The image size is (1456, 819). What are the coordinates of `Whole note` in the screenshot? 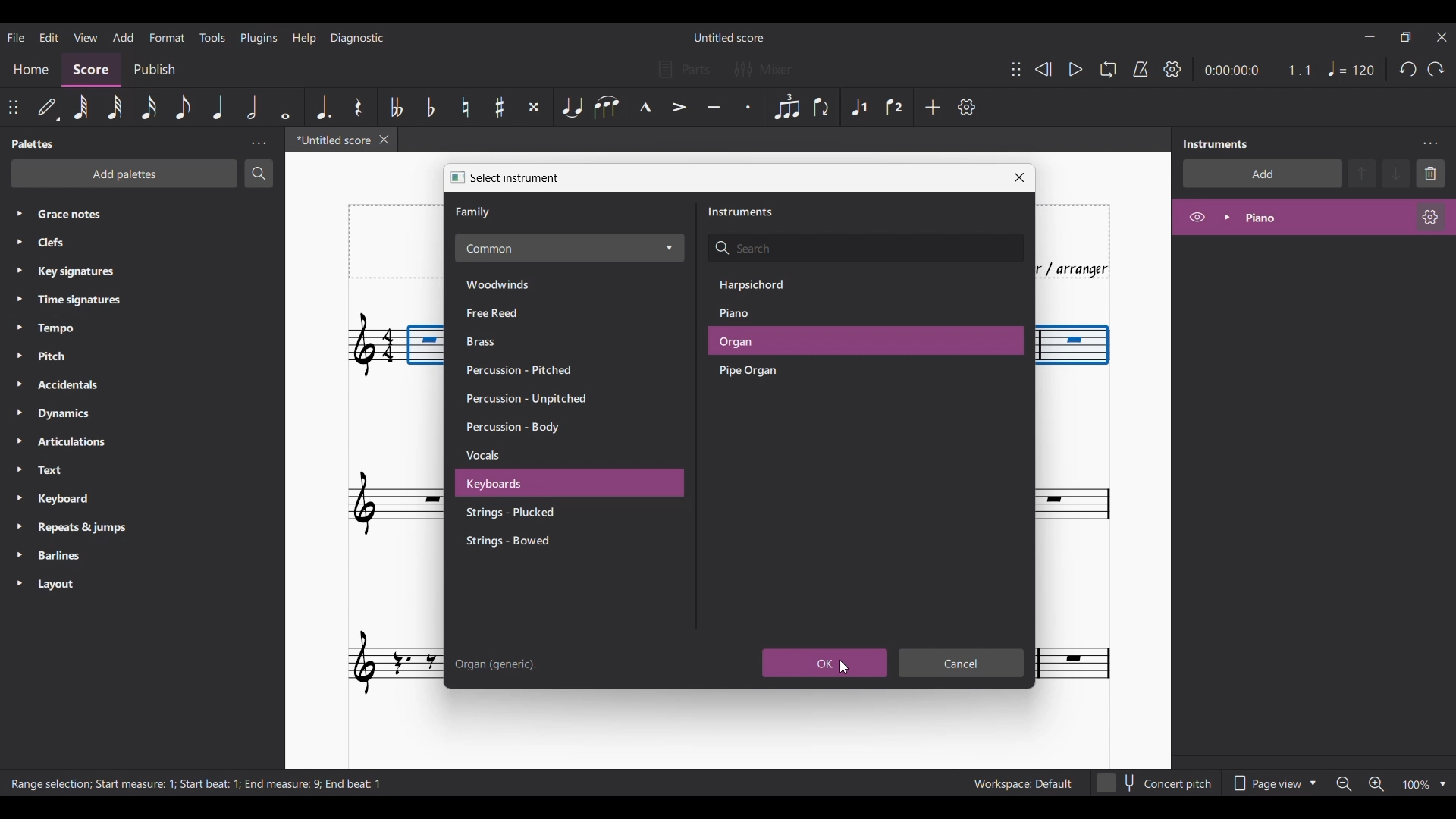 It's located at (285, 107).